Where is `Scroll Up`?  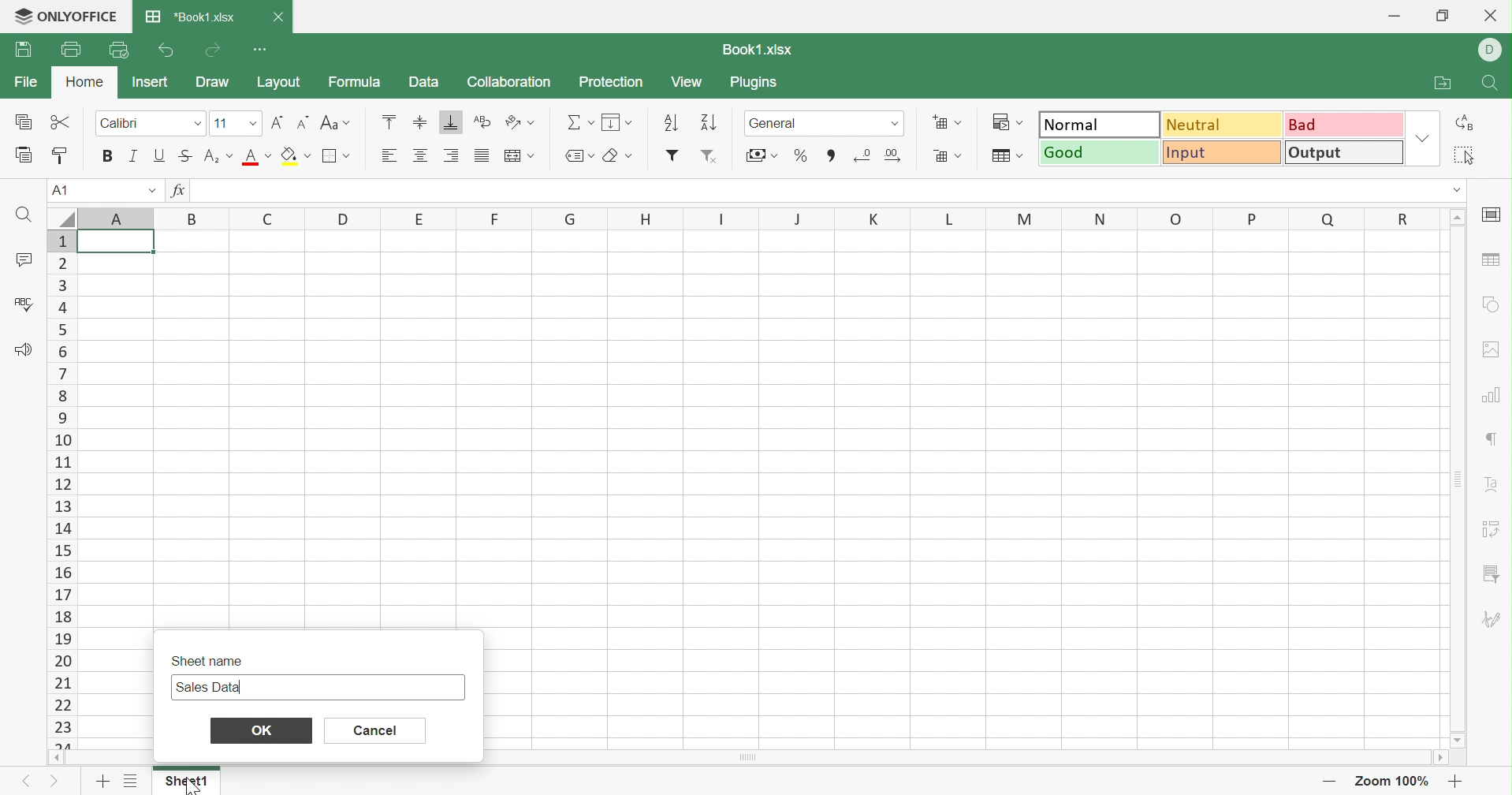 Scroll Up is located at coordinates (1458, 218).